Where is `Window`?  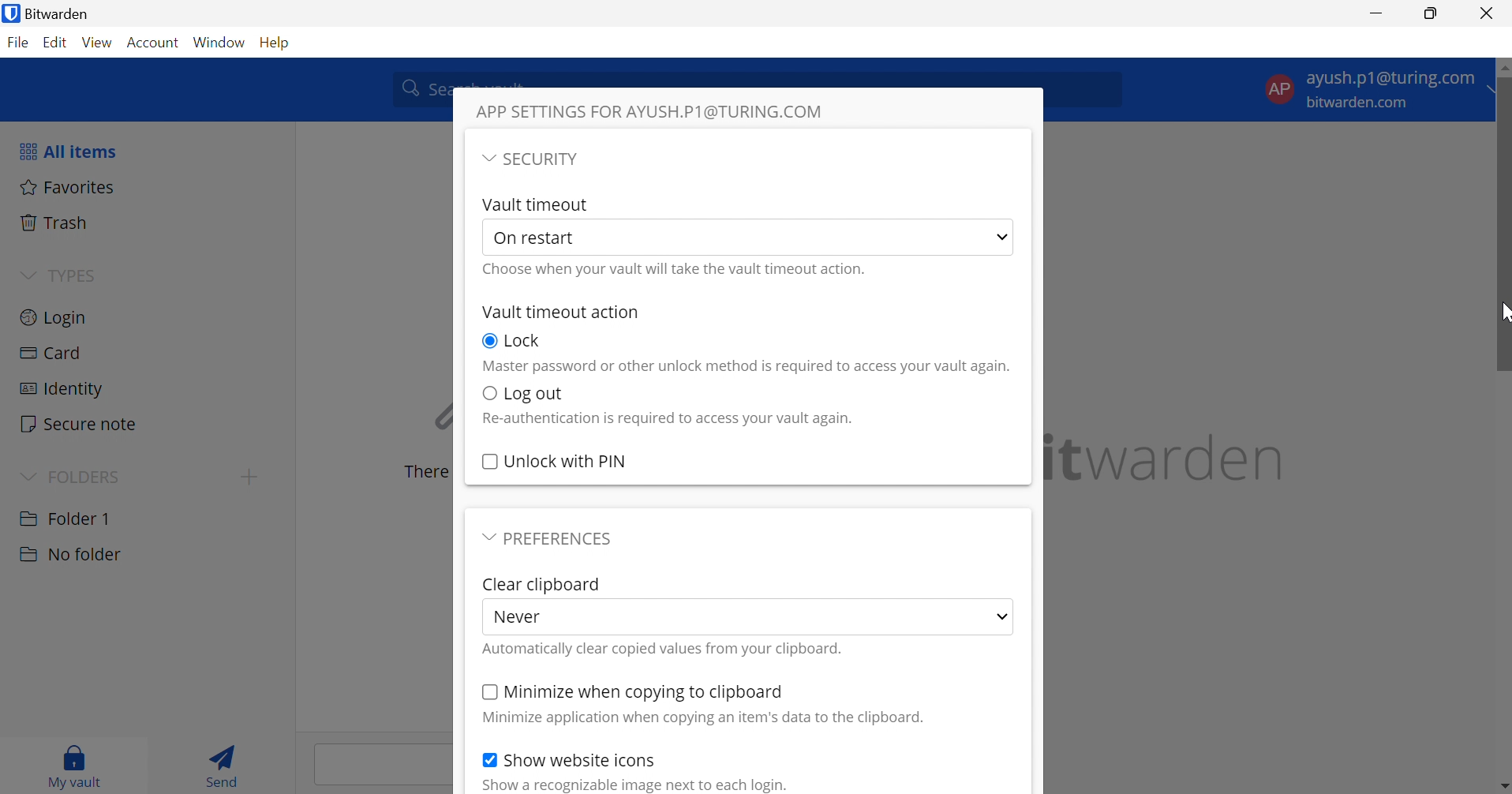
Window is located at coordinates (221, 42).